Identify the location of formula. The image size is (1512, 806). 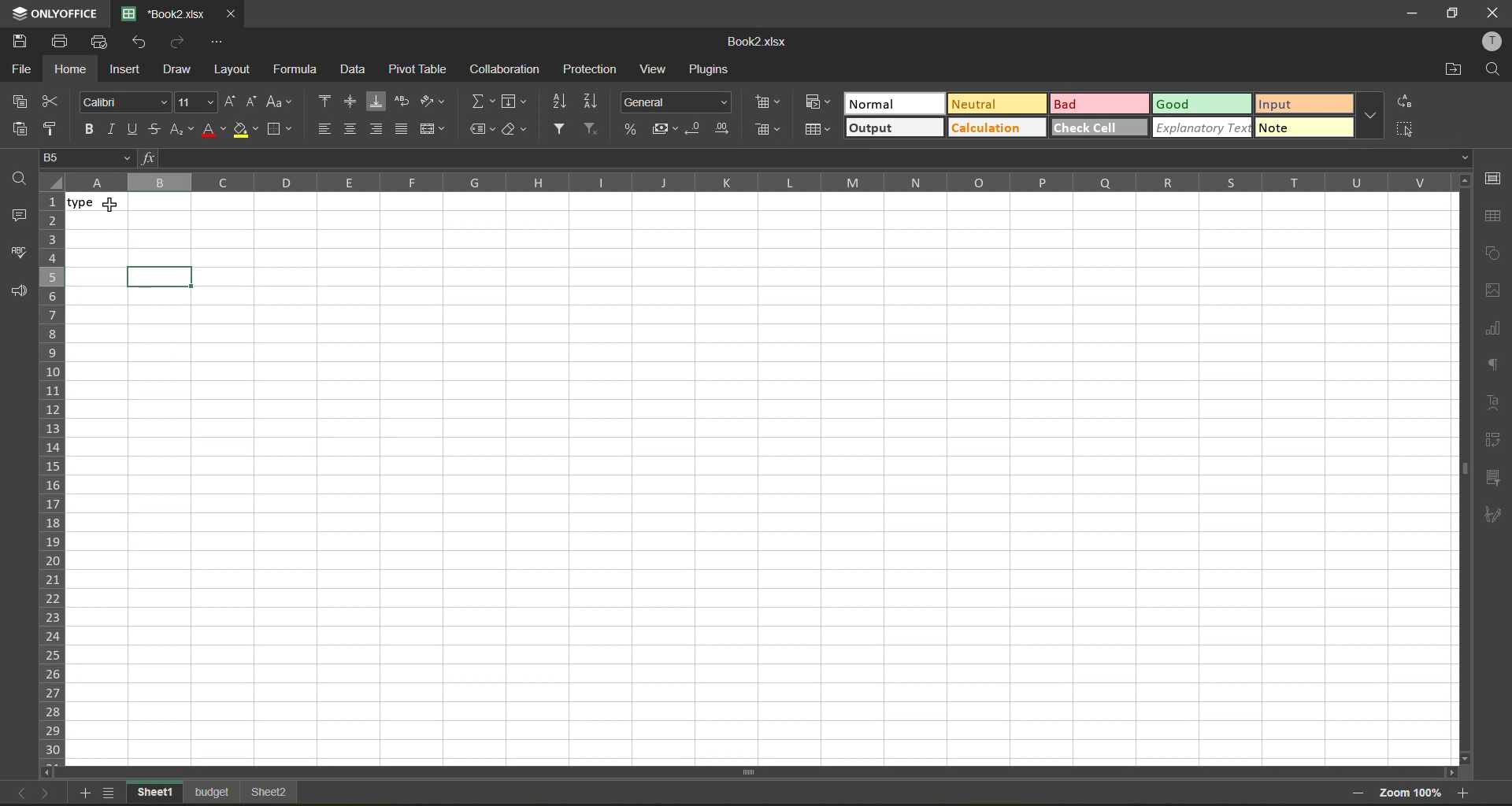
(302, 70).